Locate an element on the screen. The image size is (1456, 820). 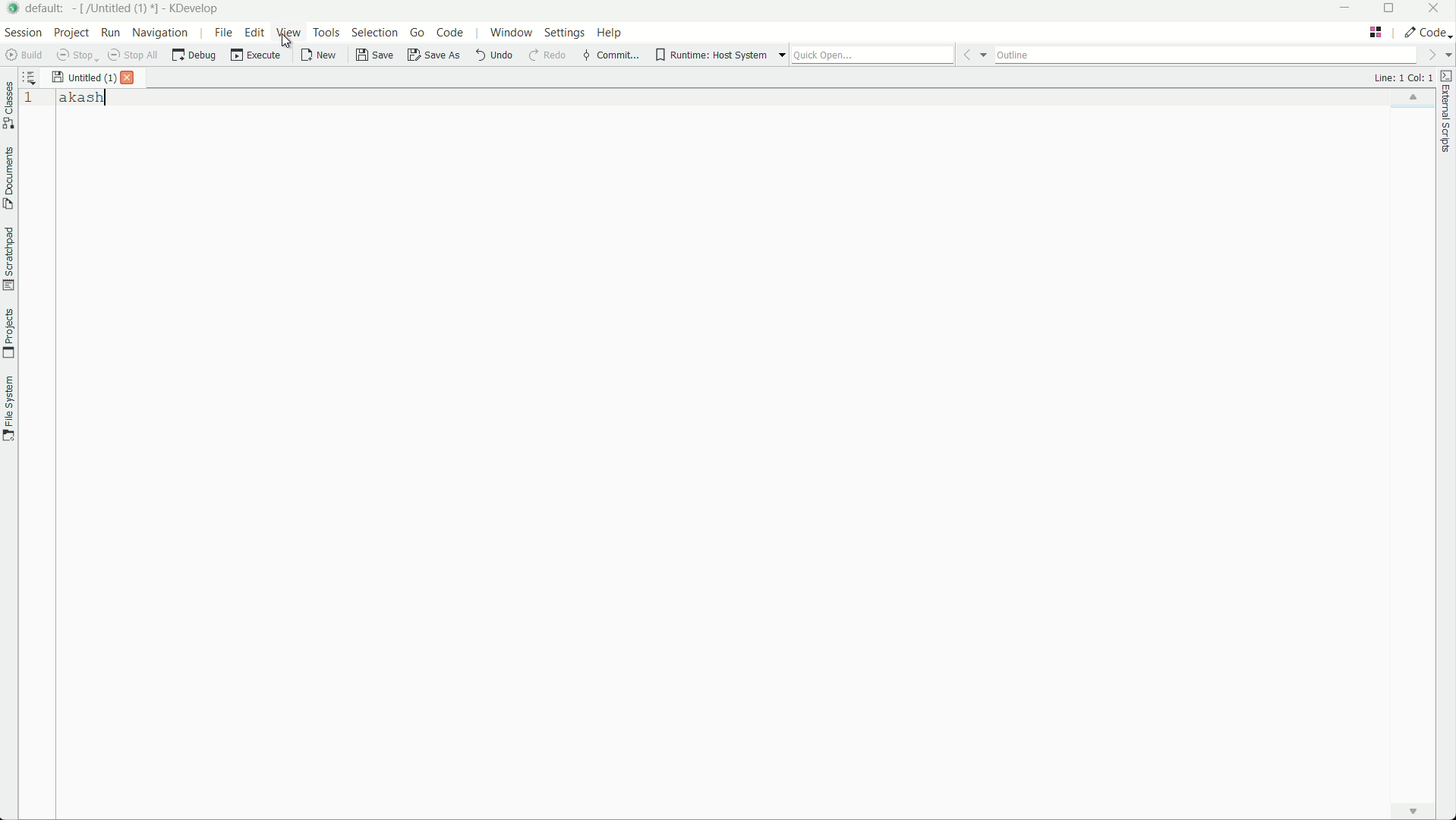
execute is located at coordinates (257, 57).